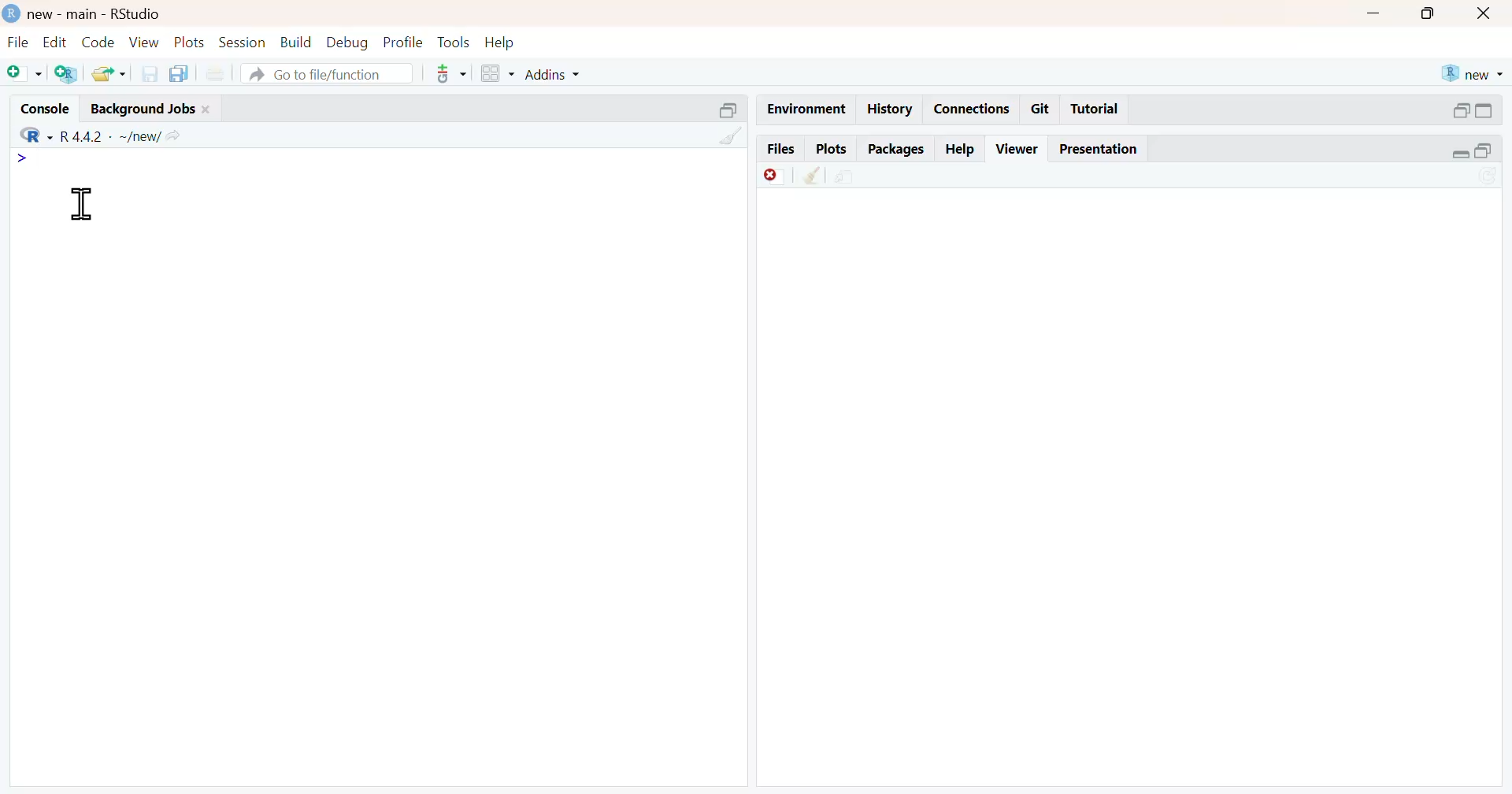 This screenshot has height=794, width=1512. I want to click on new, so click(1469, 74).